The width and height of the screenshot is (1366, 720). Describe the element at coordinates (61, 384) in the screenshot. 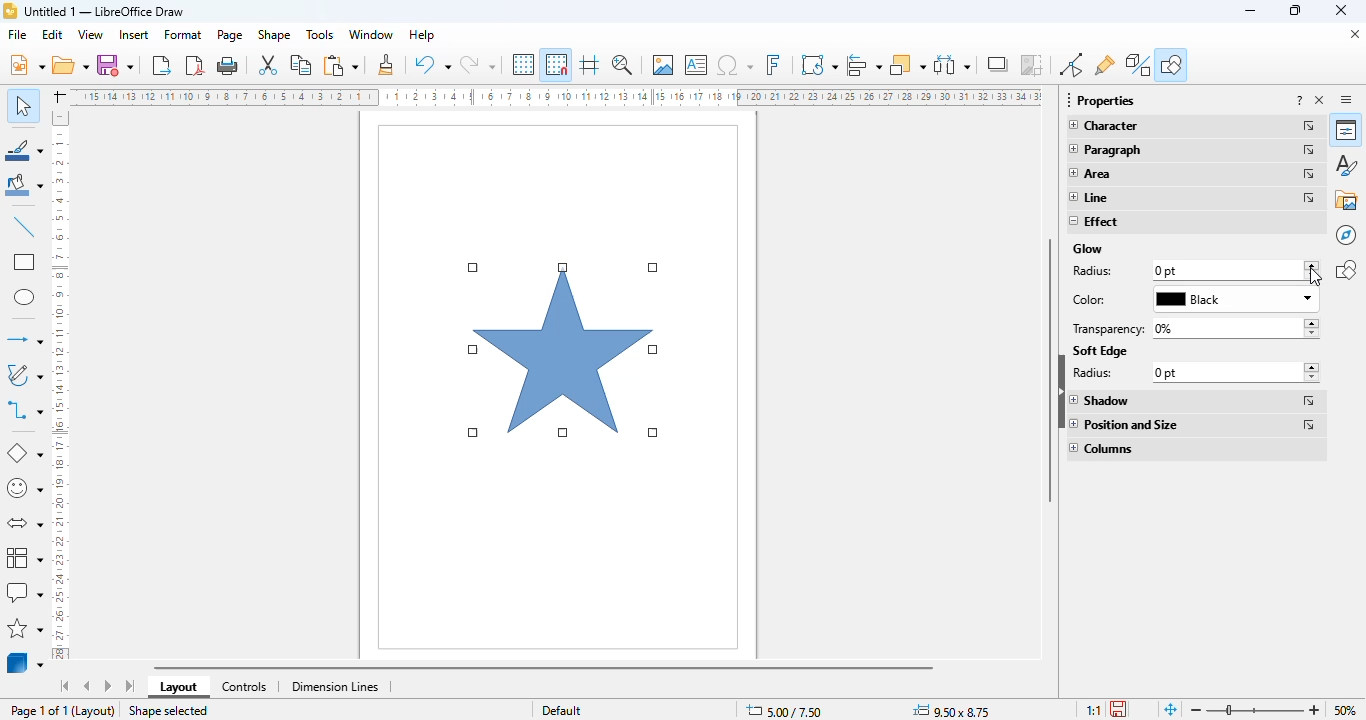

I see `ruler` at that location.